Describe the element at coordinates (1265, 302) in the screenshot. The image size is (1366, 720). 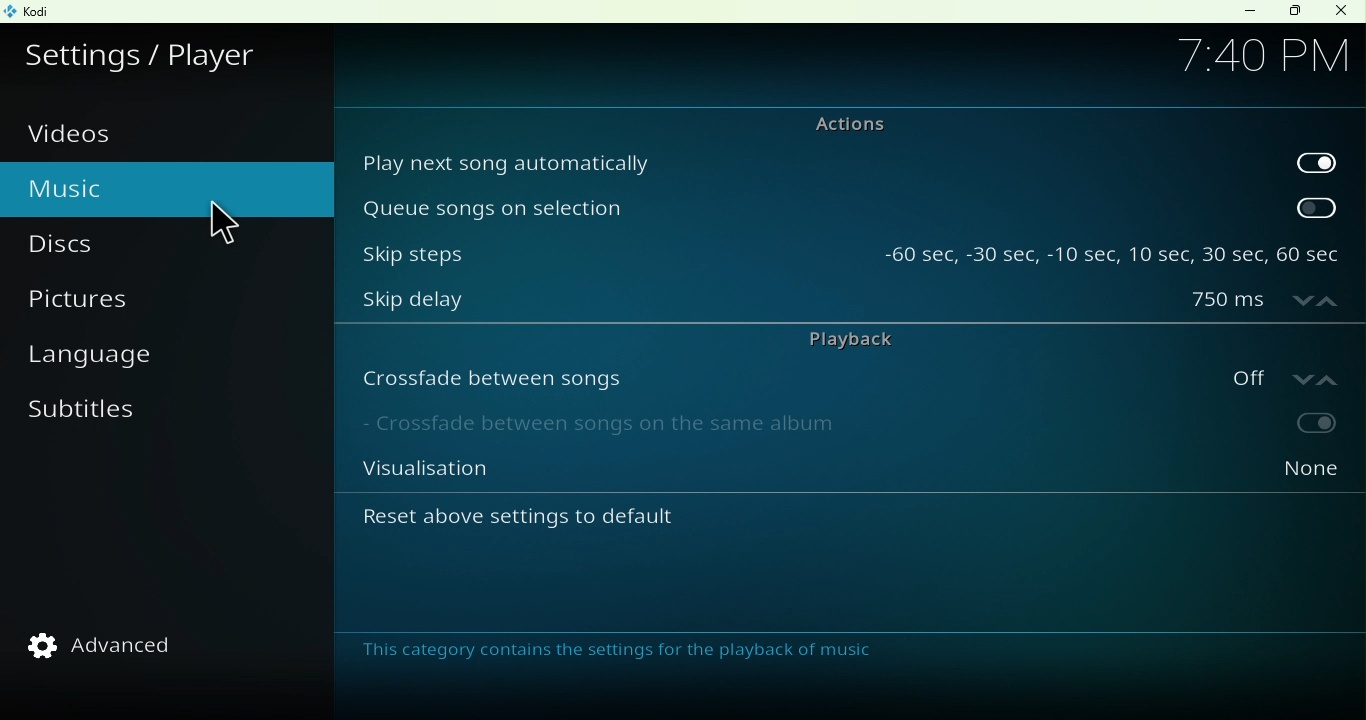
I see `750ms` at that location.